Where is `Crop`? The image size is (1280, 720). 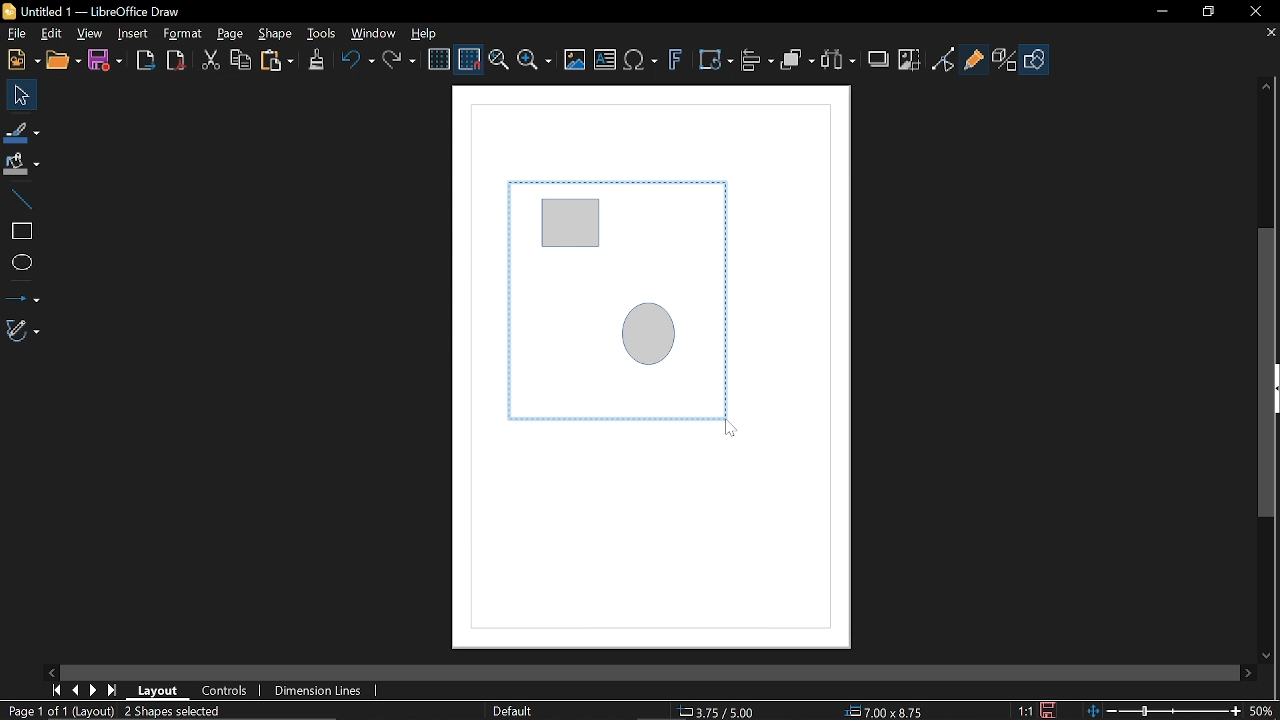 Crop is located at coordinates (909, 61).